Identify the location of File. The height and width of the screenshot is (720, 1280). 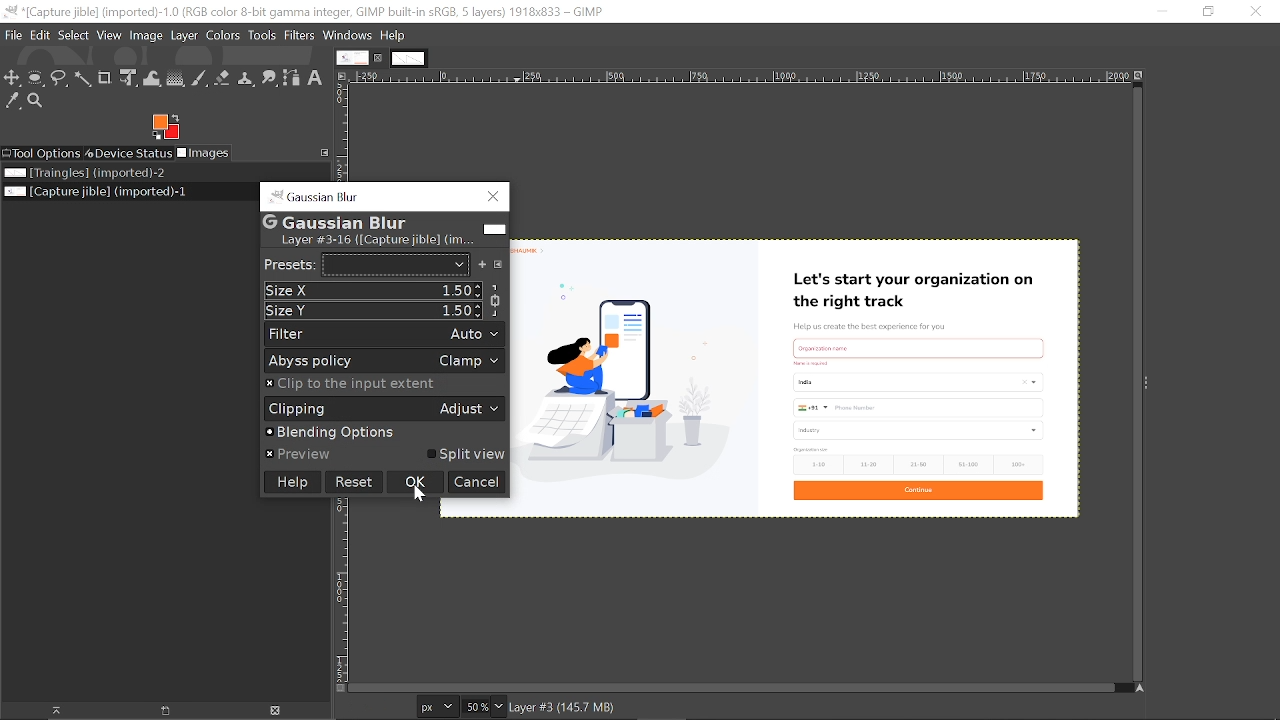
(13, 37).